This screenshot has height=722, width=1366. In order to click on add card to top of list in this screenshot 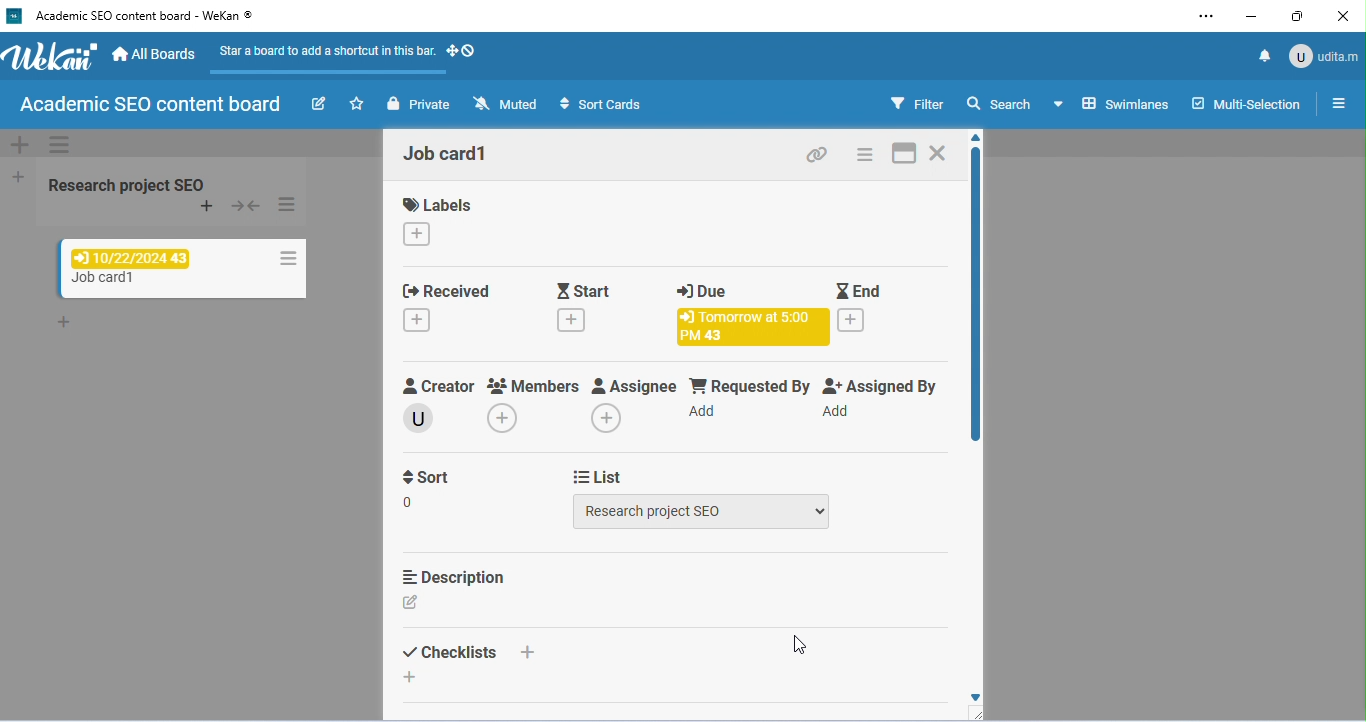, I will do `click(210, 207)`.